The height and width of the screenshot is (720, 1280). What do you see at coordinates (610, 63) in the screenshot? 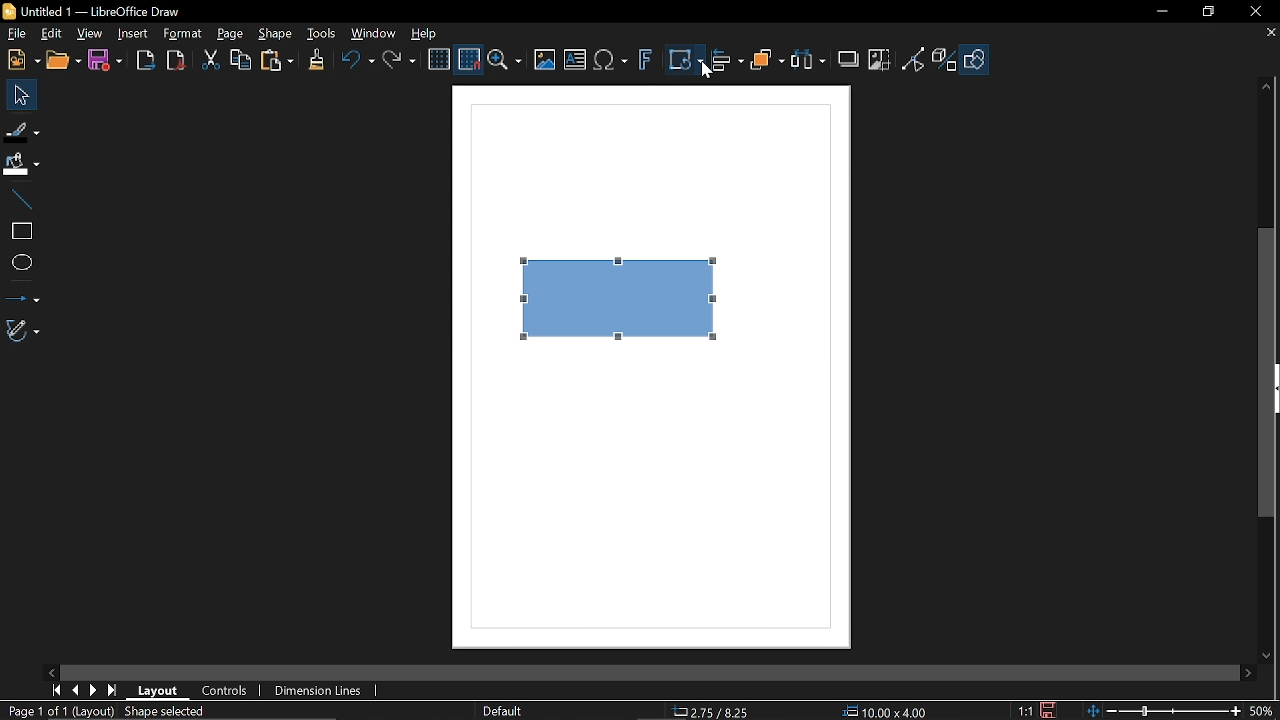
I see `Insert equation` at bounding box center [610, 63].